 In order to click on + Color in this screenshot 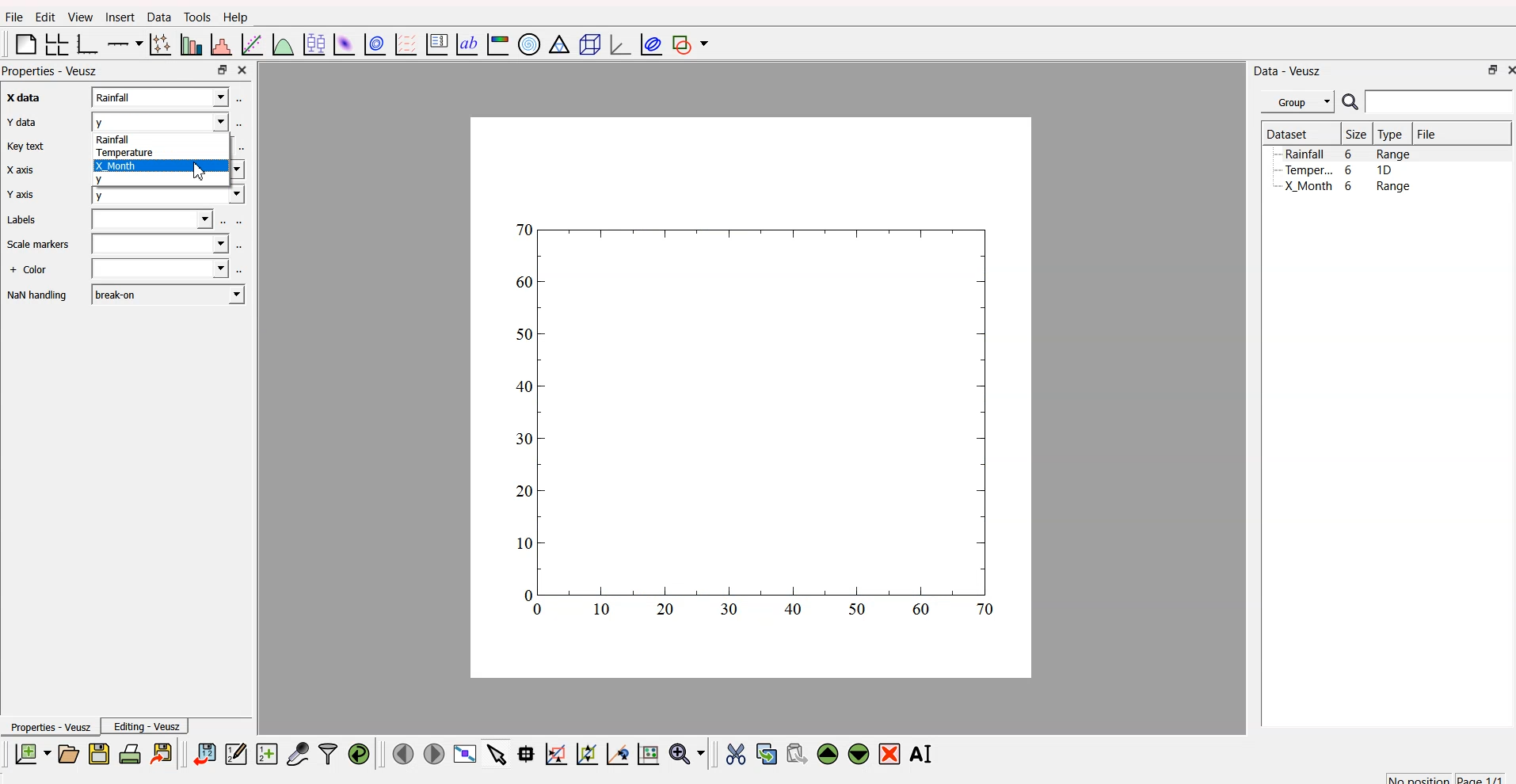, I will do `click(30, 271)`.